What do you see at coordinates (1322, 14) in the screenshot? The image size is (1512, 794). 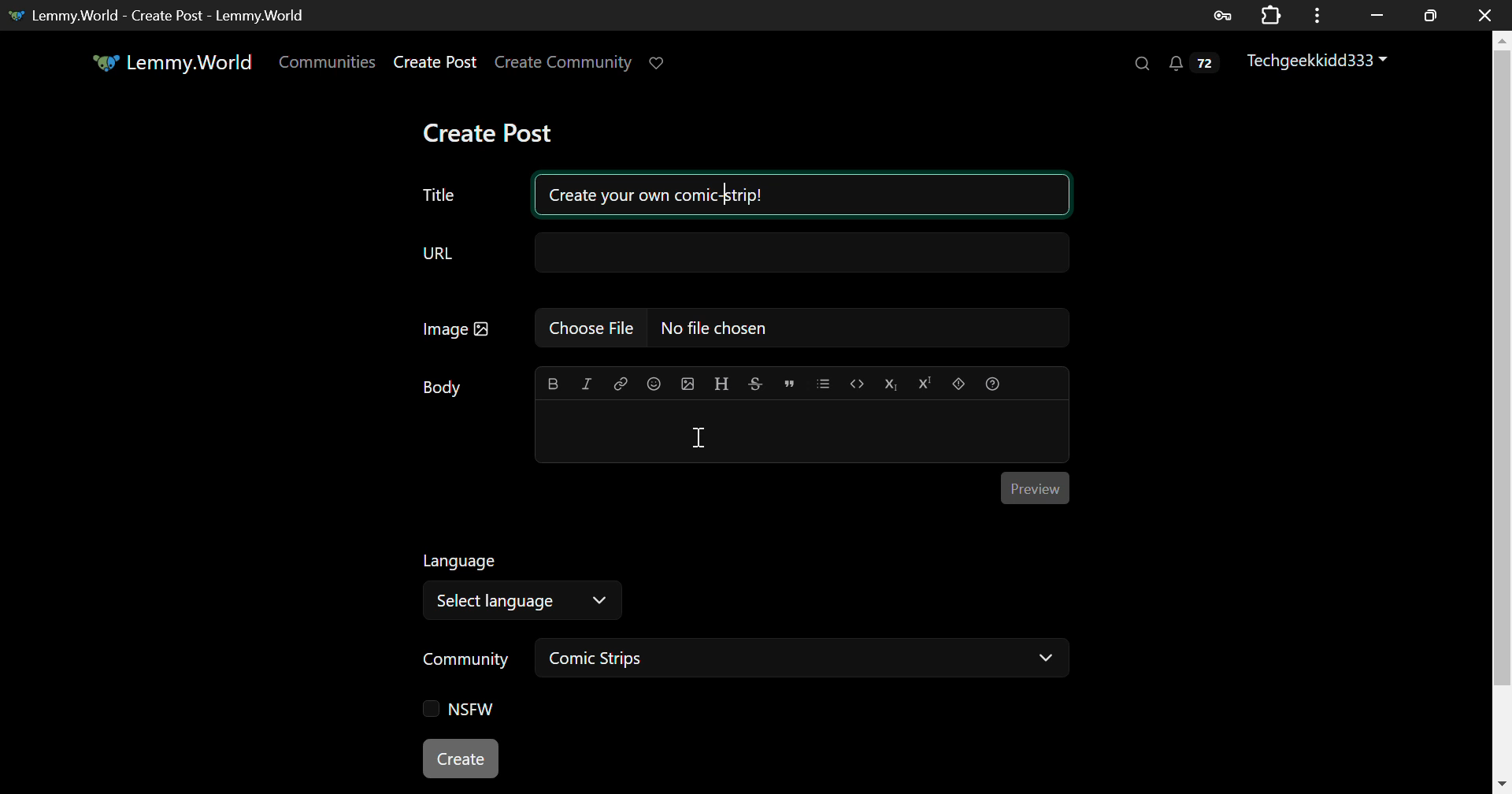 I see `Menu` at bounding box center [1322, 14].